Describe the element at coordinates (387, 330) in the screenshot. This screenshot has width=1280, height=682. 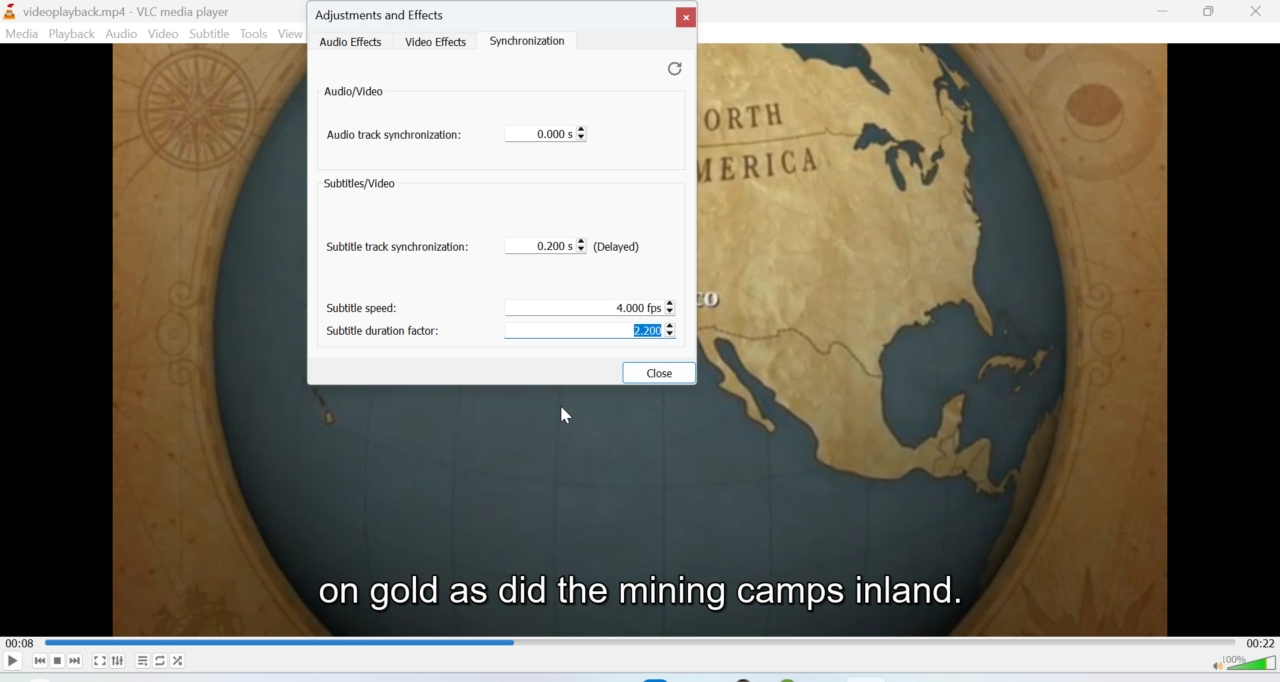
I see `subtitle duration factor:` at that location.